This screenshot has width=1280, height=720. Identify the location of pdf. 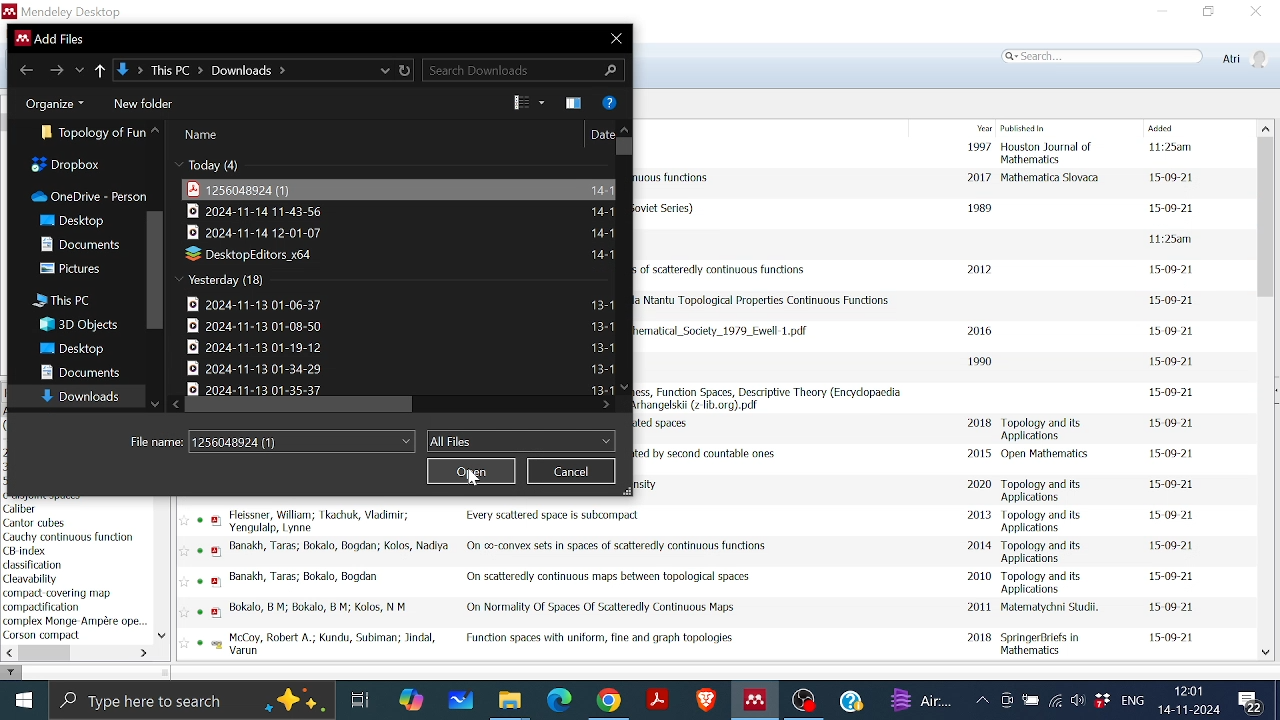
(220, 521).